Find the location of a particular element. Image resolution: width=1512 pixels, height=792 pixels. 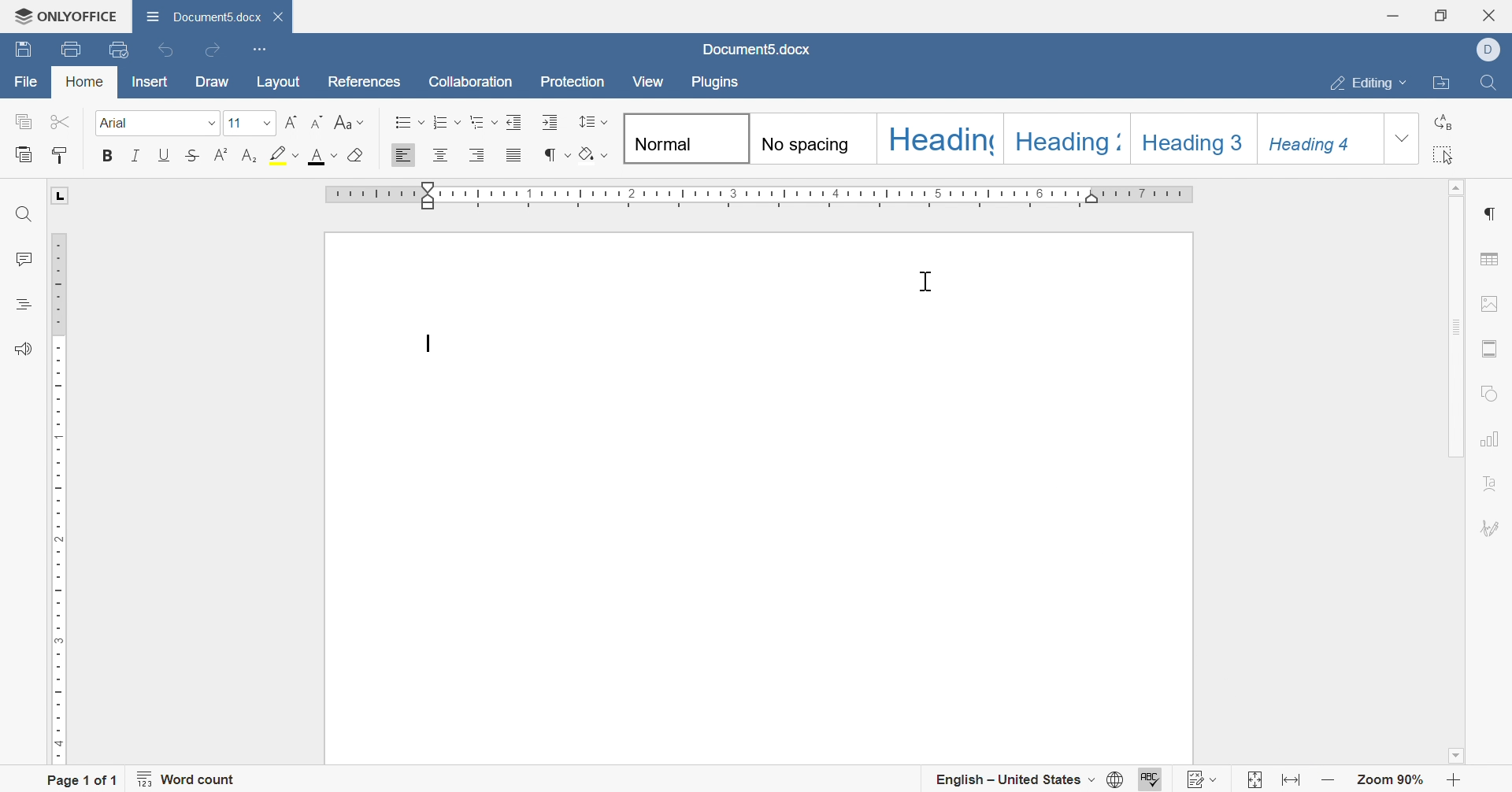

close is located at coordinates (277, 17).